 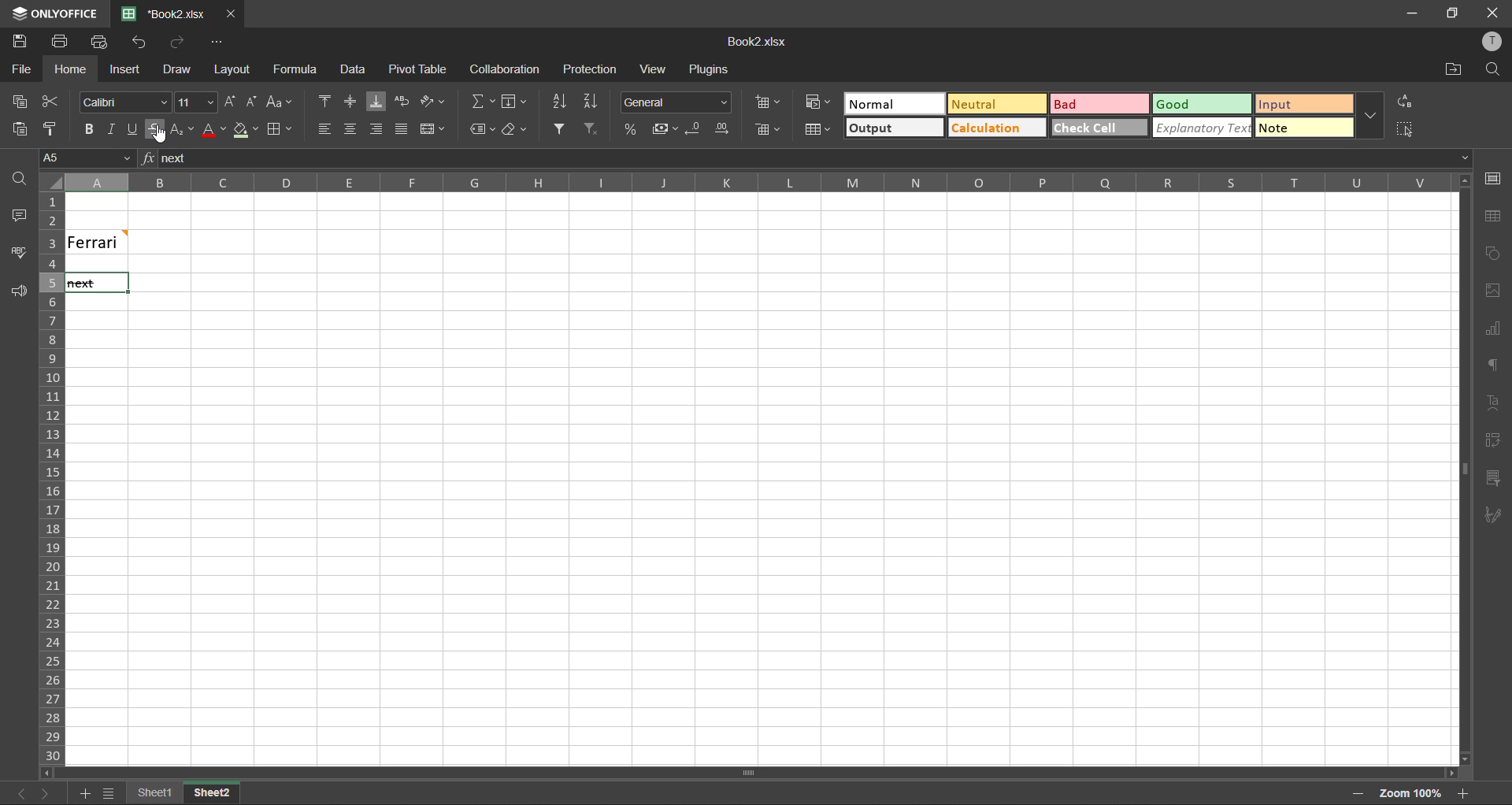 What do you see at coordinates (18, 102) in the screenshot?
I see `copy` at bounding box center [18, 102].